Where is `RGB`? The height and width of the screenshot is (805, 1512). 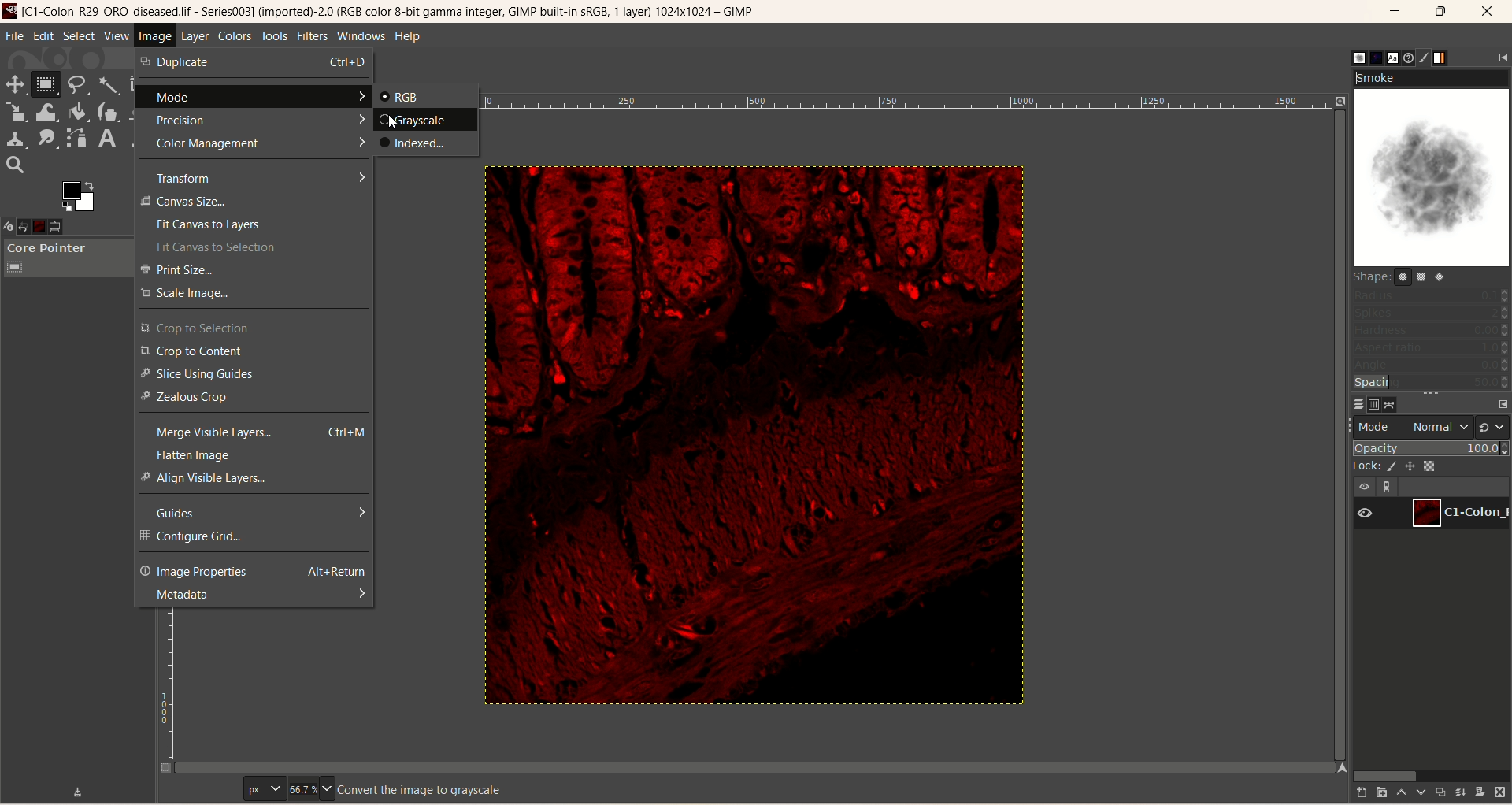
RGB is located at coordinates (400, 97).